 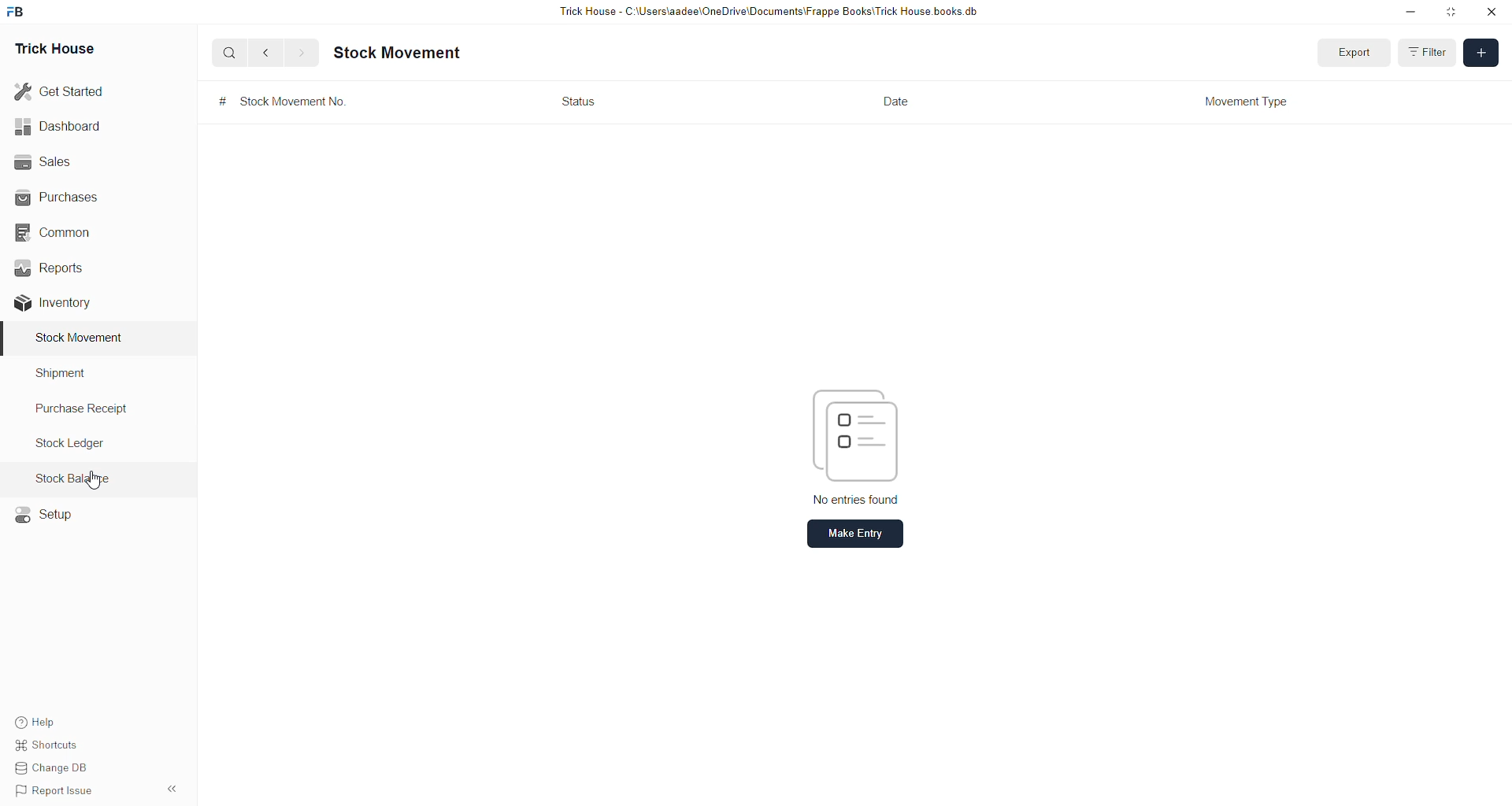 I want to click on Trick House - C:\Users\aadee\OneDrive\Documents\Frappe Books\Trick House books.db, so click(x=769, y=13).